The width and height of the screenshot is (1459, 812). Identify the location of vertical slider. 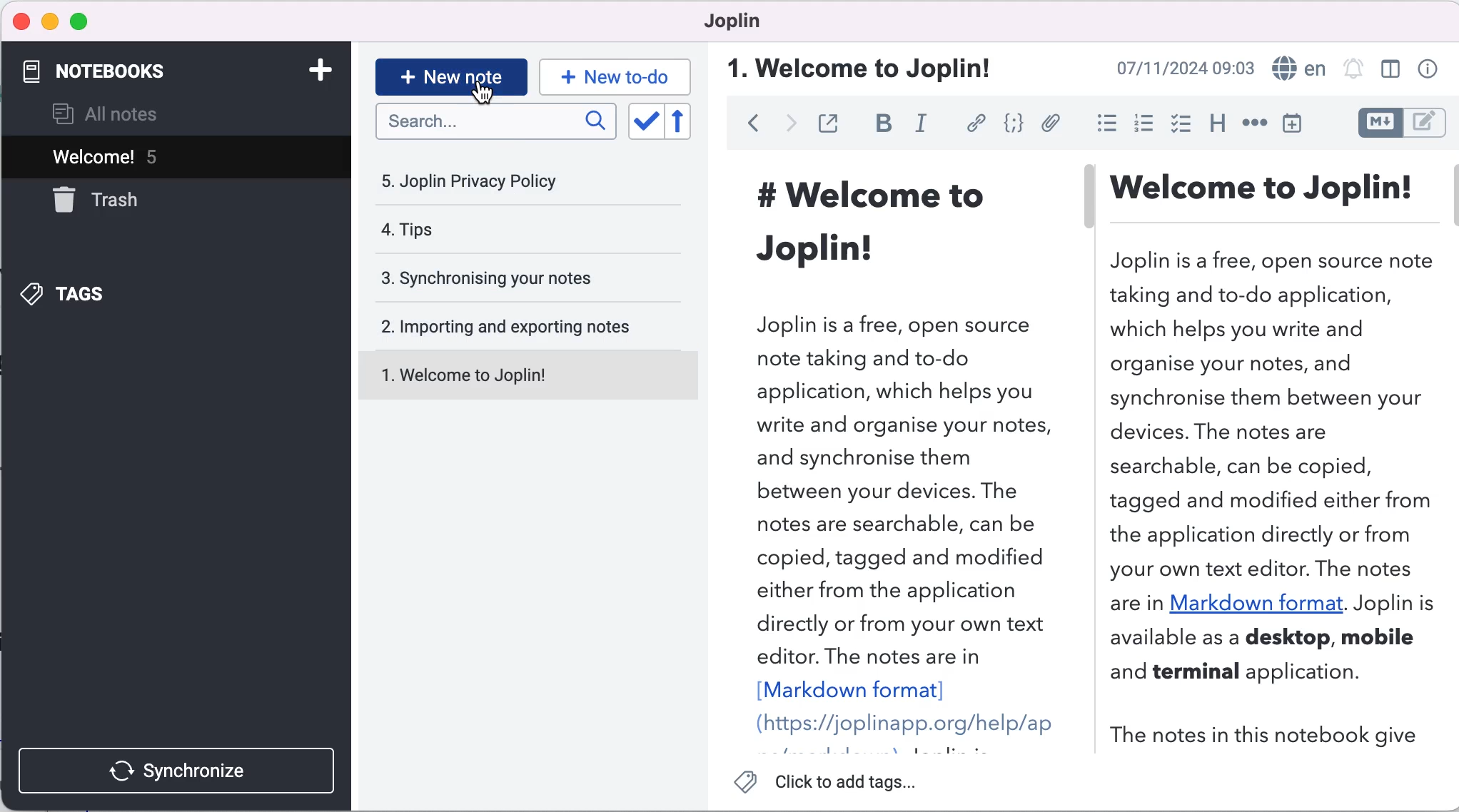
(1091, 200).